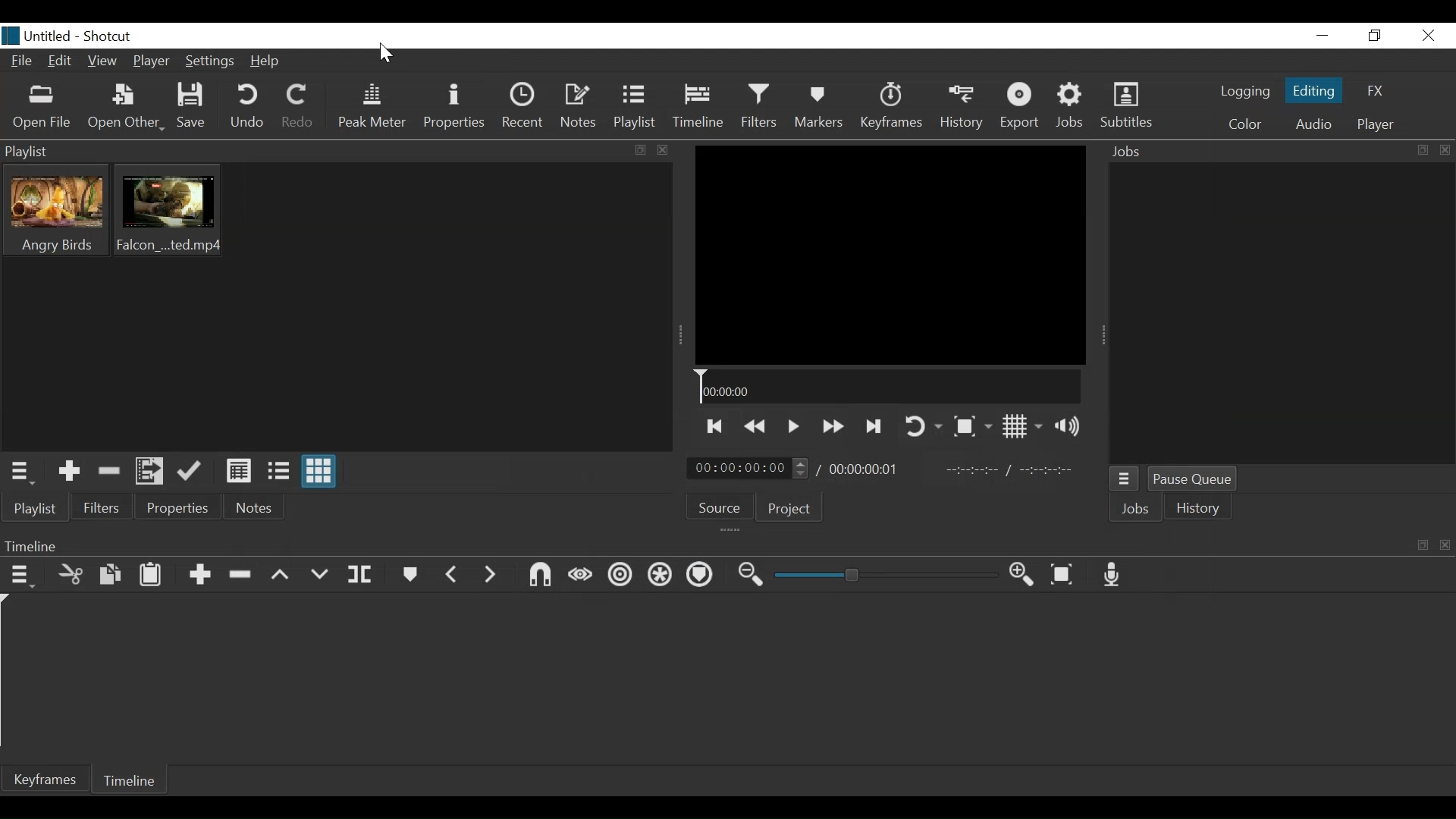  What do you see at coordinates (46, 779) in the screenshot?
I see `Keyframe` at bounding box center [46, 779].